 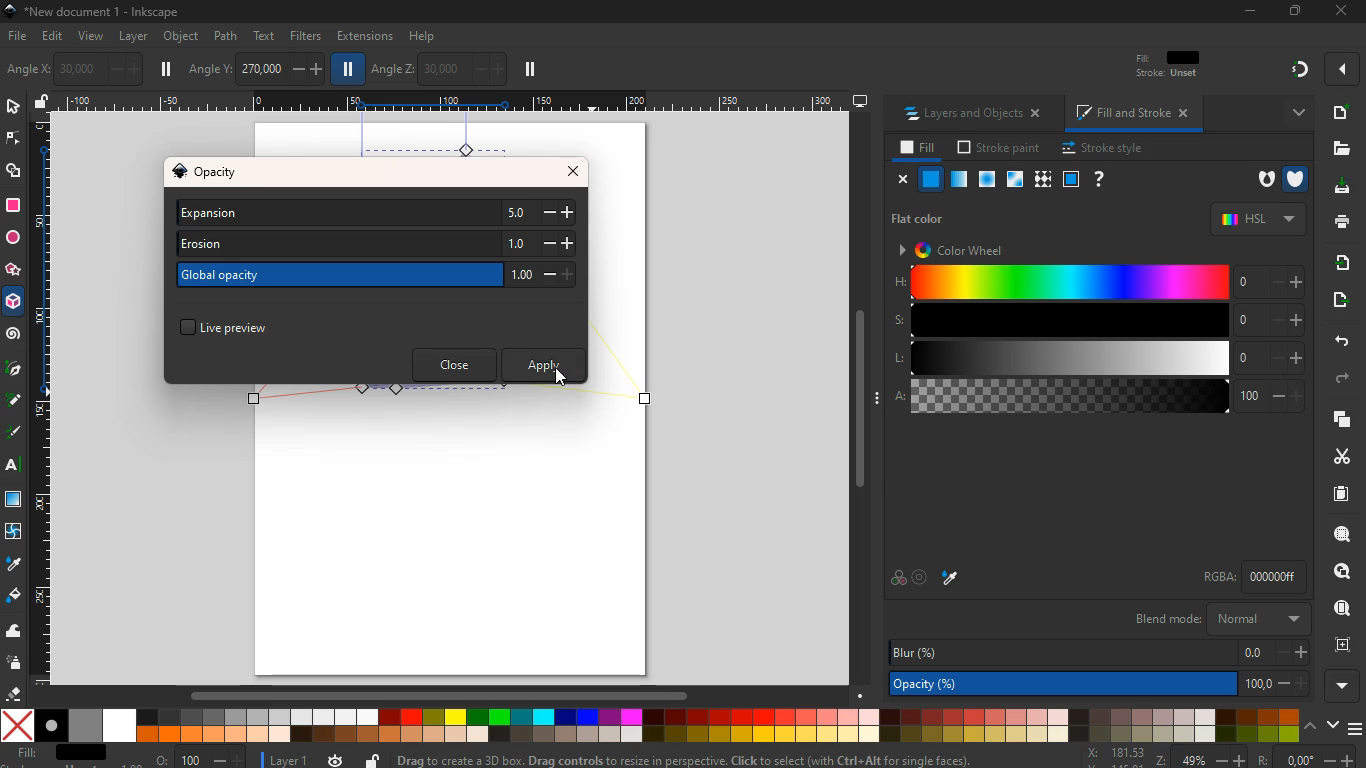 What do you see at coordinates (220, 173) in the screenshot?
I see `opacity` at bounding box center [220, 173].